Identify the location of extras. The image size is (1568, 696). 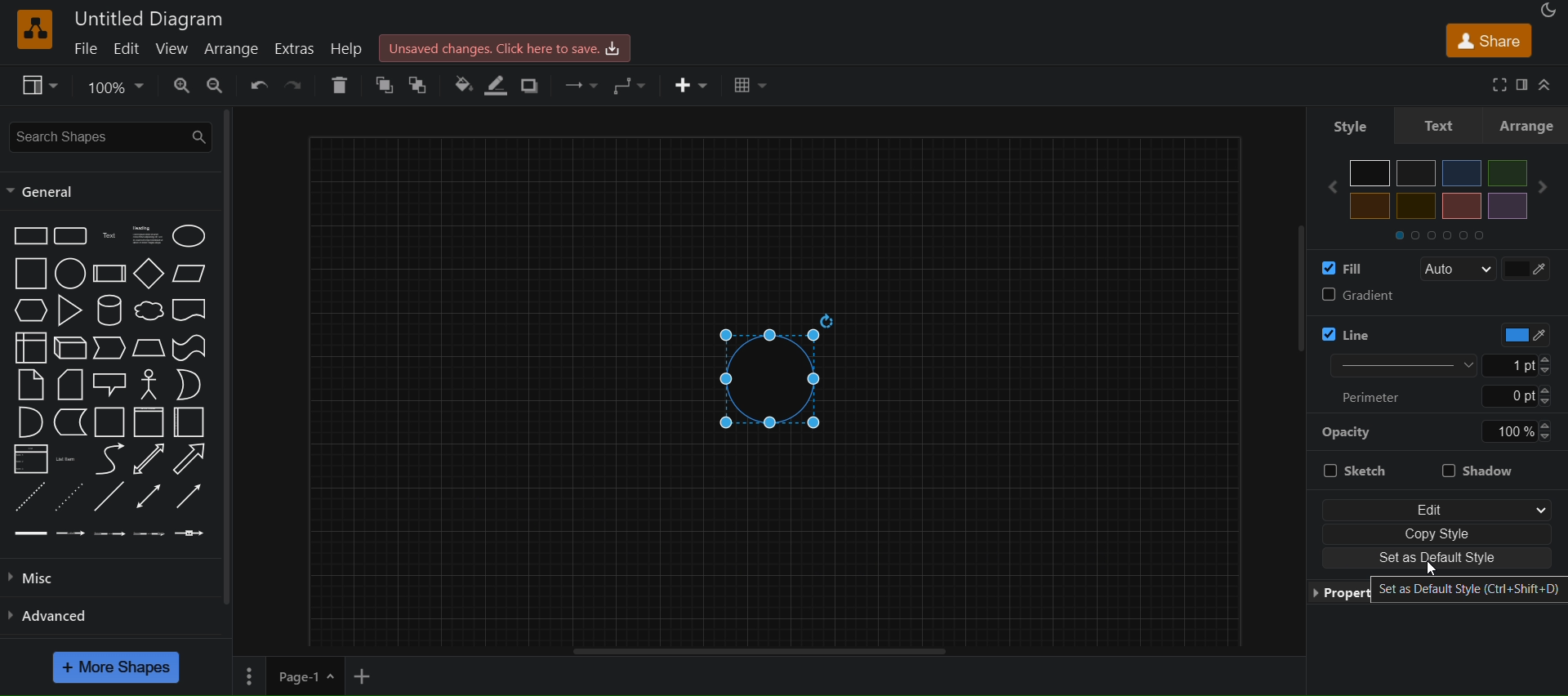
(294, 47).